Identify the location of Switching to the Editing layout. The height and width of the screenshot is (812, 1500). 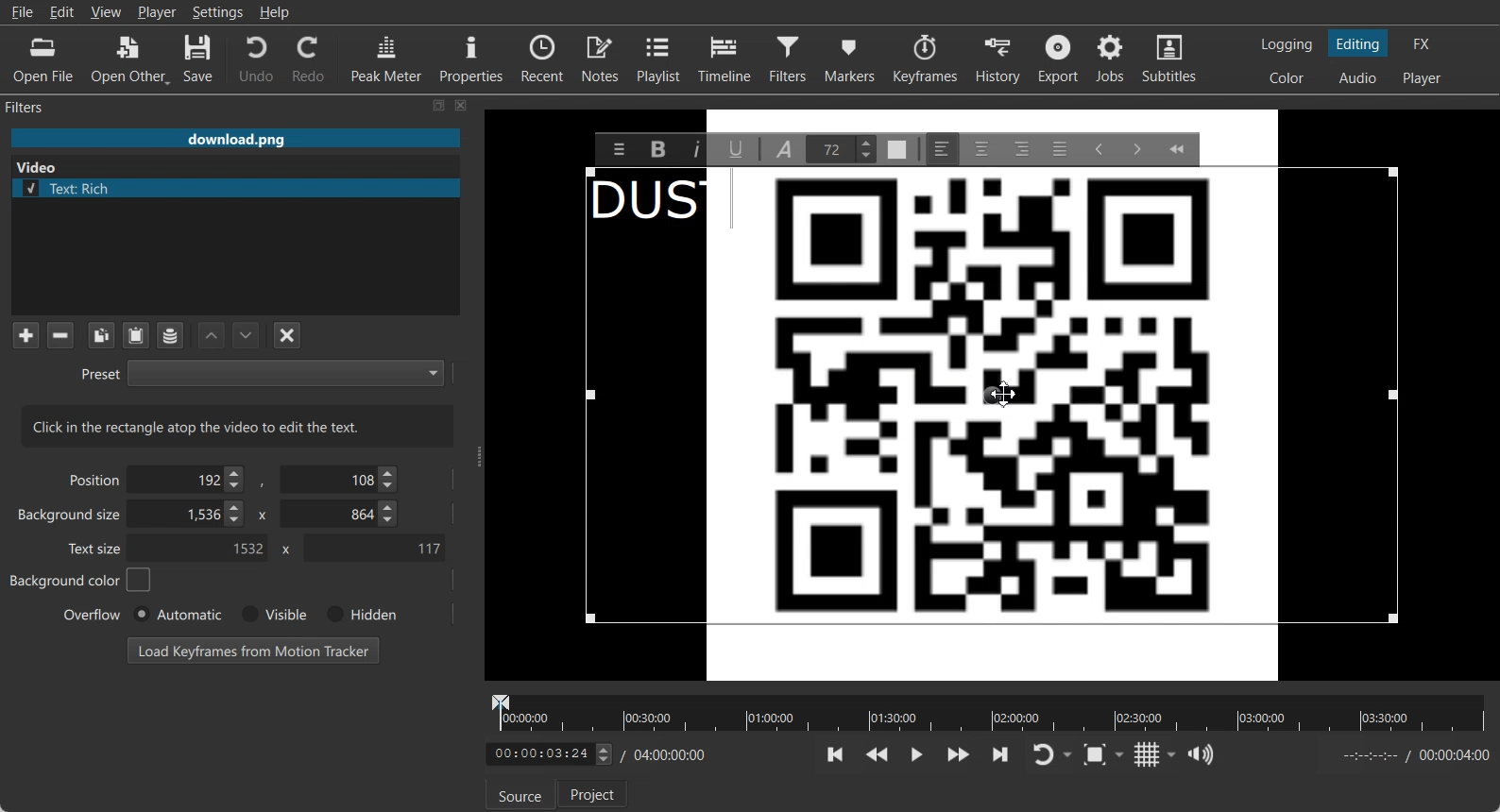
(1358, 44).